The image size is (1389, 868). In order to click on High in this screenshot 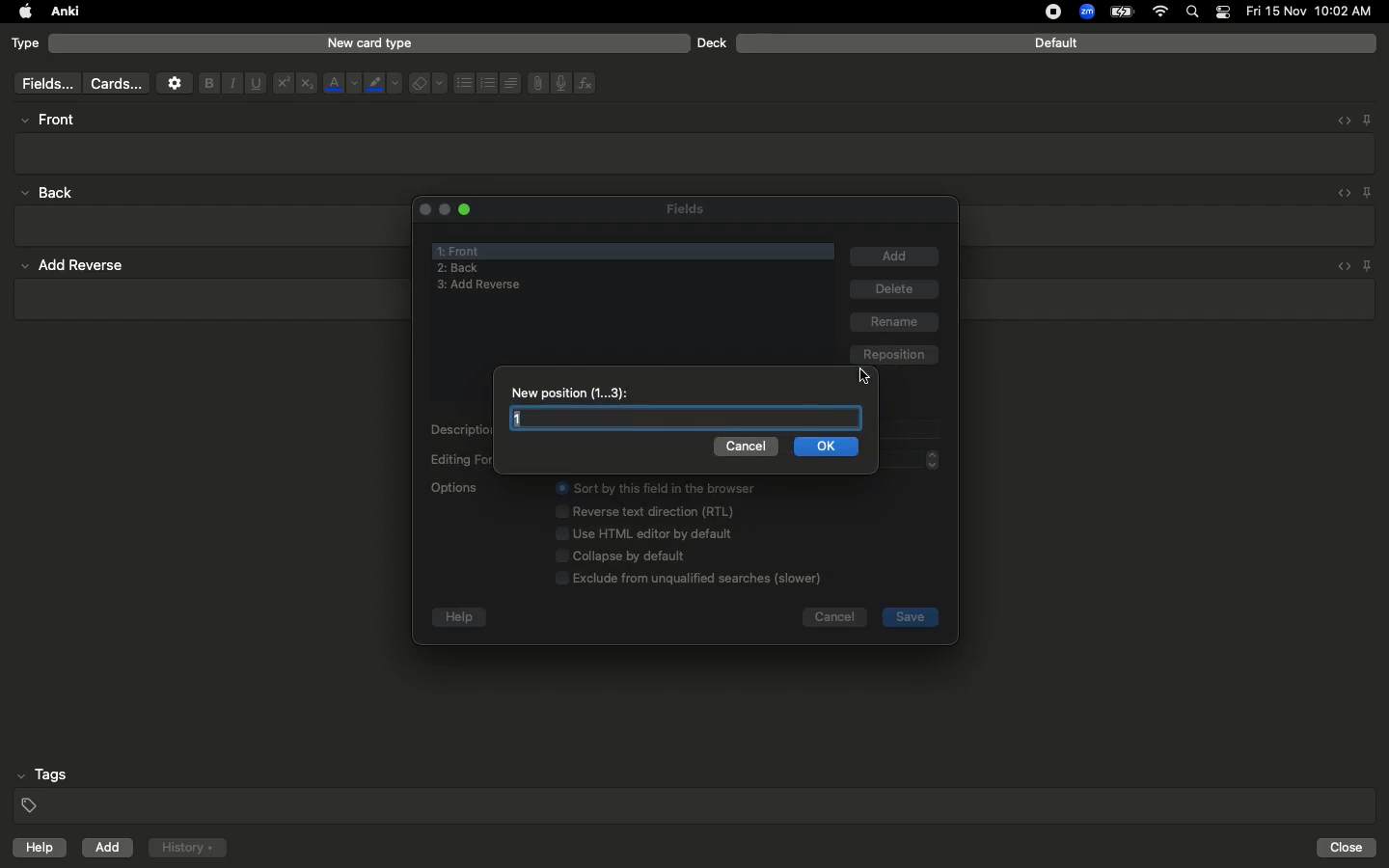, I will do `click(54, 120)`.